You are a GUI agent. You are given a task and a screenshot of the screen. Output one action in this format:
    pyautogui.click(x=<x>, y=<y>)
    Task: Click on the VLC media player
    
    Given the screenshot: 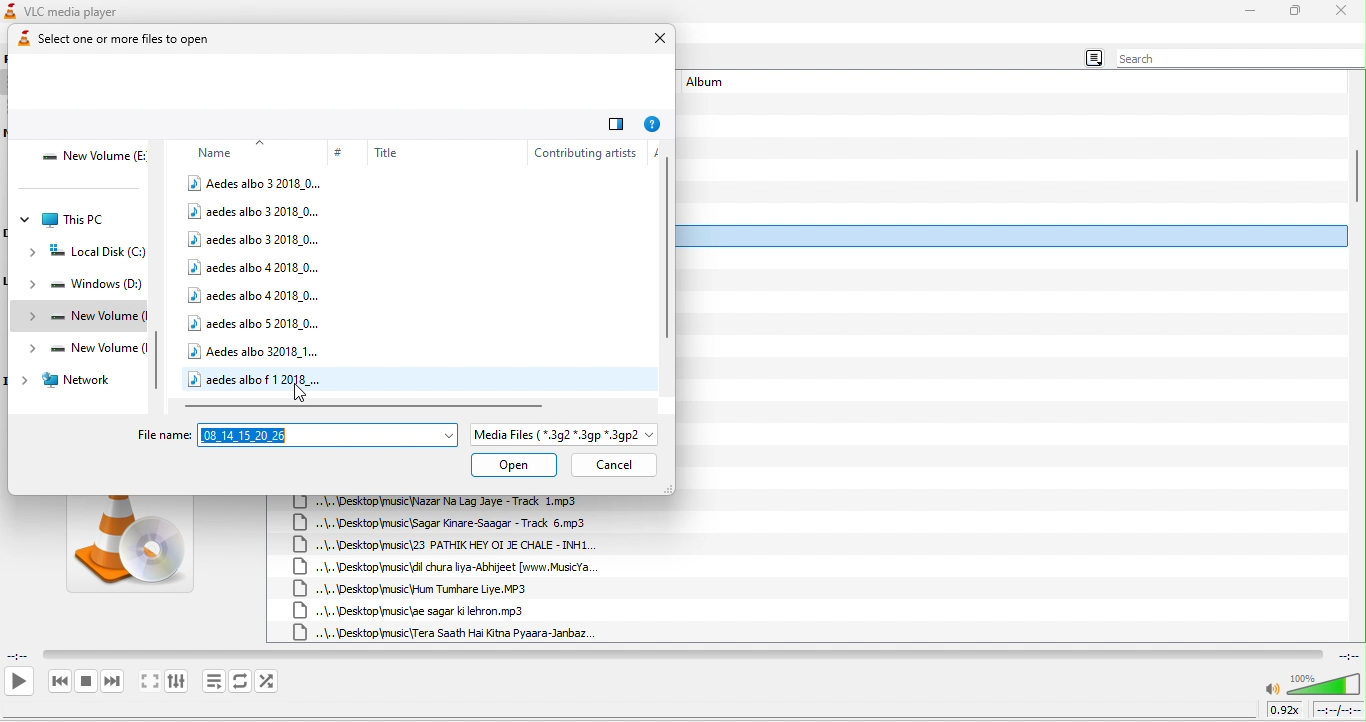 What is the action you would take?
    pyautogui.click(x=84, y=10)
    